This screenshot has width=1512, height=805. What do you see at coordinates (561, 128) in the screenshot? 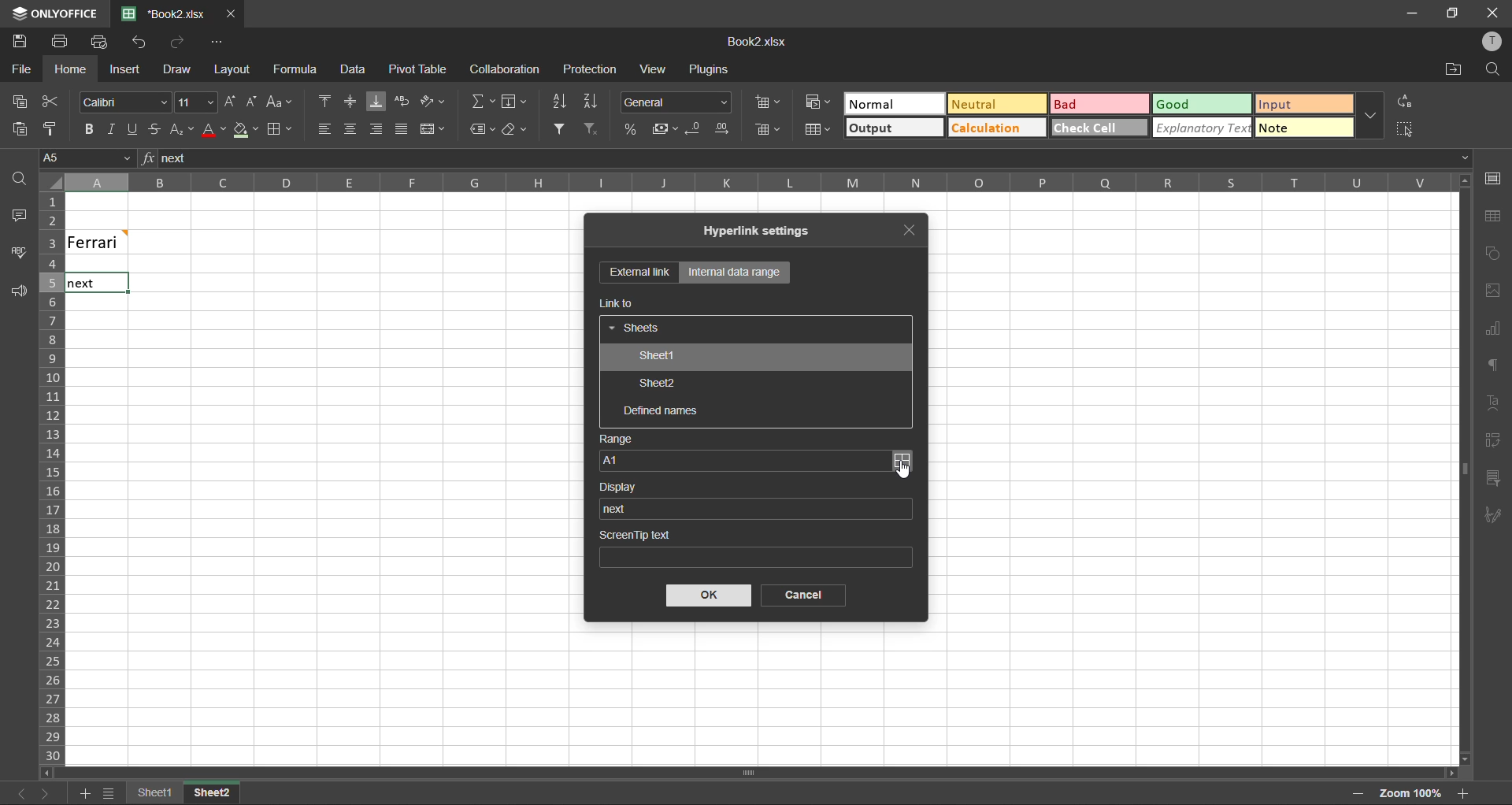
I see `filter` at bounding box center [561, 128].